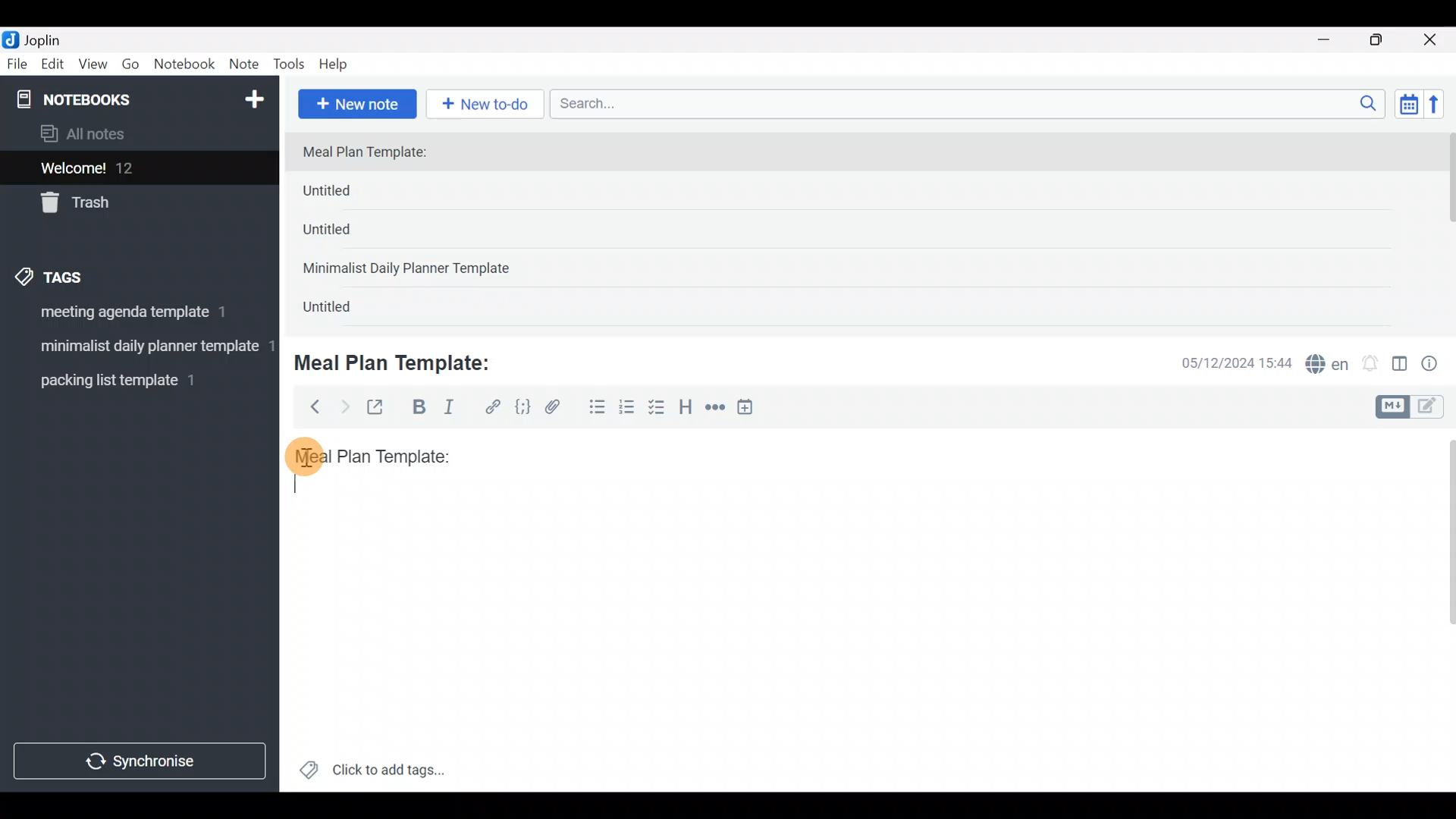 This screenshot has height=819, width=1456. Describe the element at coordinates (594, 408) in the screenshot. I see `Bulleted list` at that location.